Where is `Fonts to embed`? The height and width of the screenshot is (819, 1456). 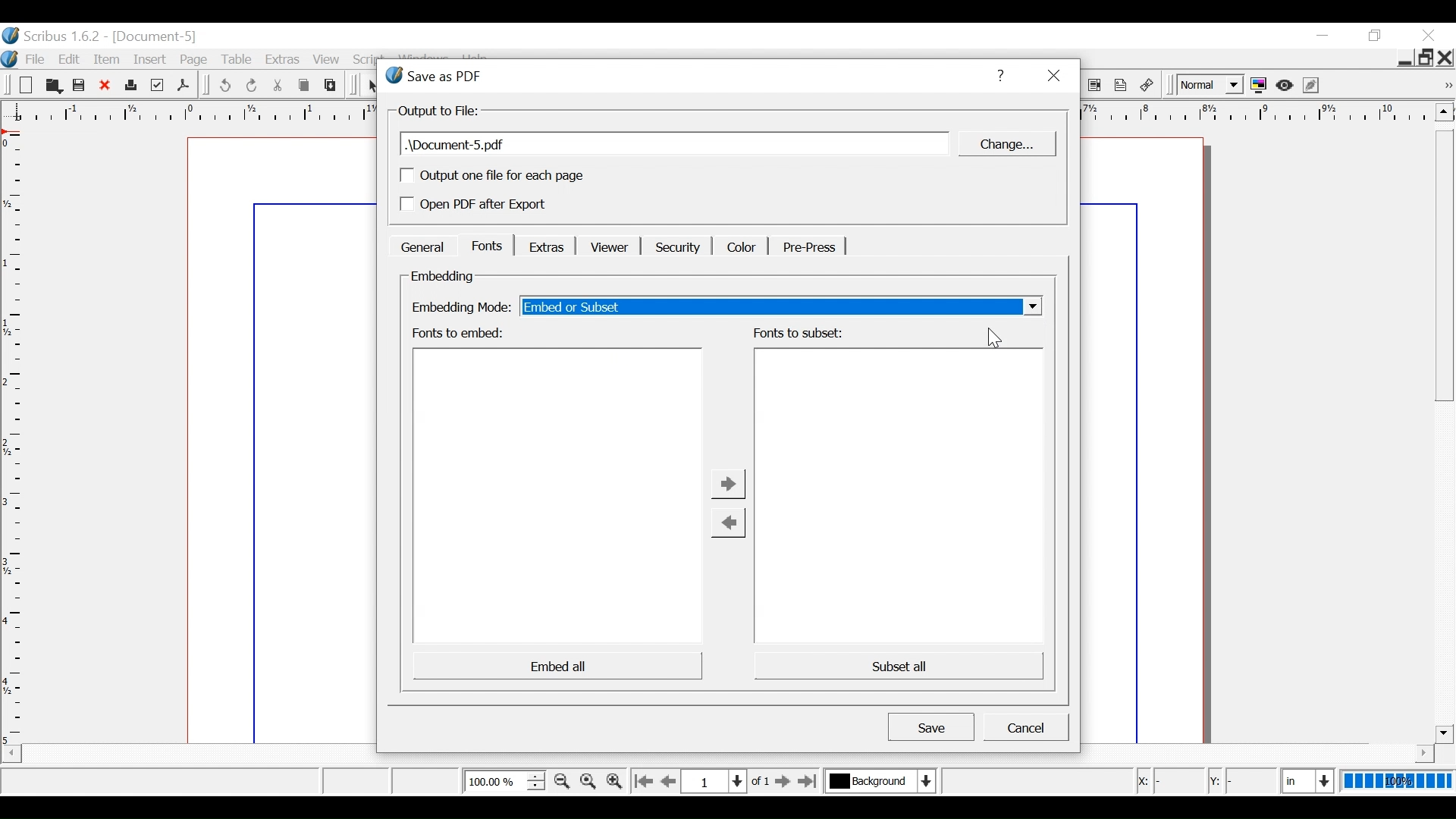
Fonts to embed is located at coordinates (460, 334).